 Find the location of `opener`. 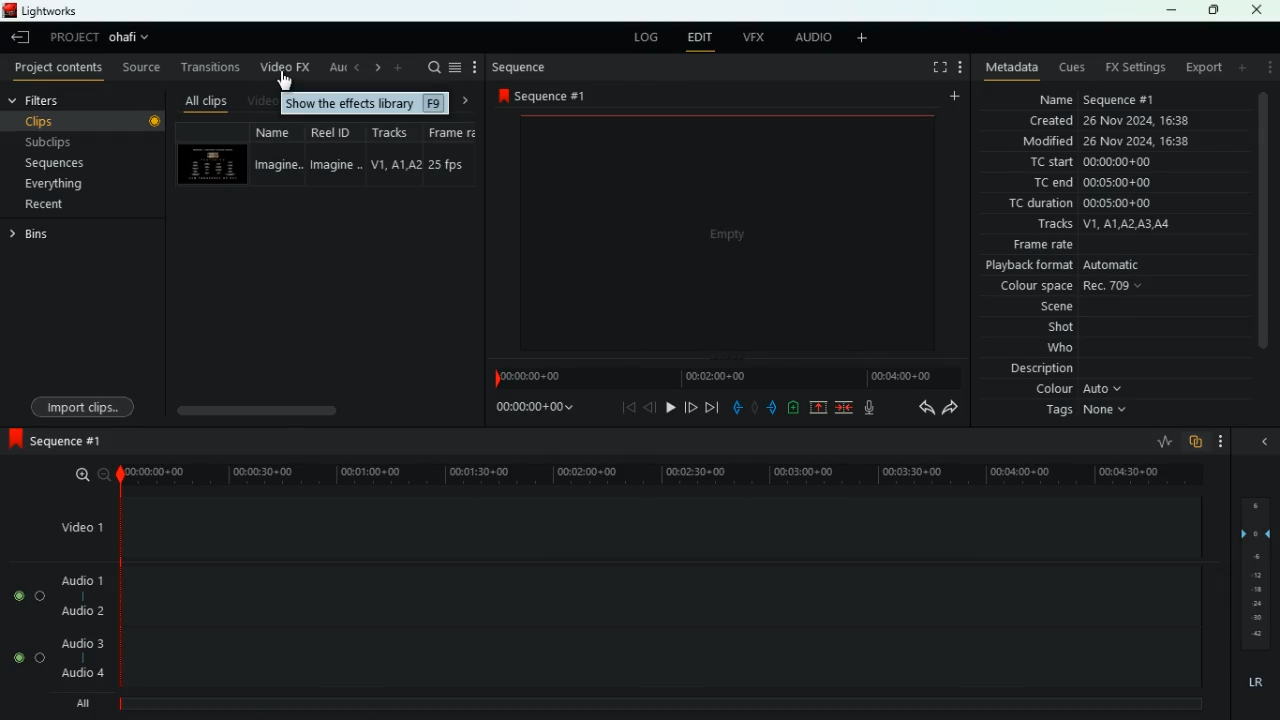

opener is located at coordinates (1266, 442).